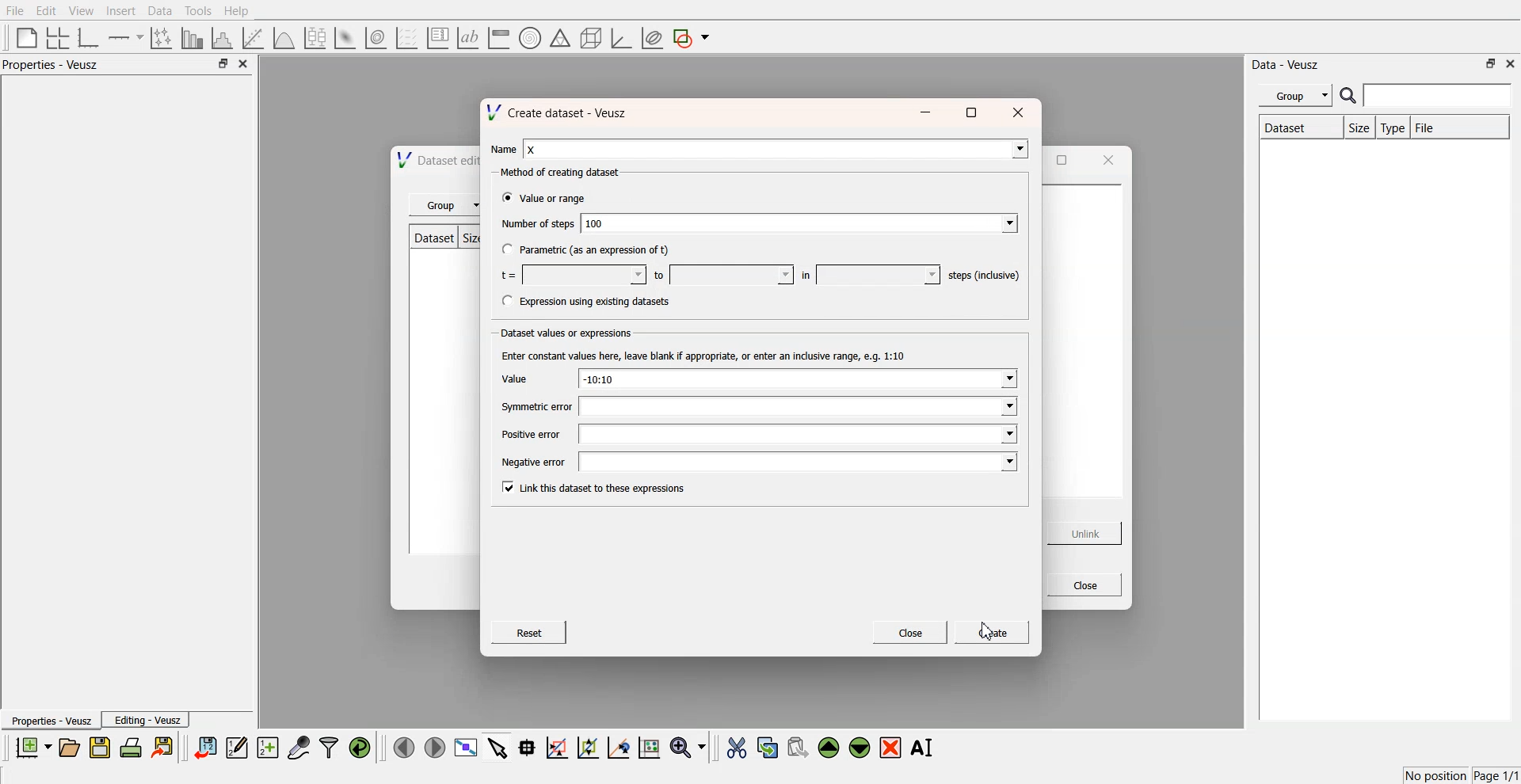 The image size is (1521, 784). I want to click on Insert, so click(119, 11).